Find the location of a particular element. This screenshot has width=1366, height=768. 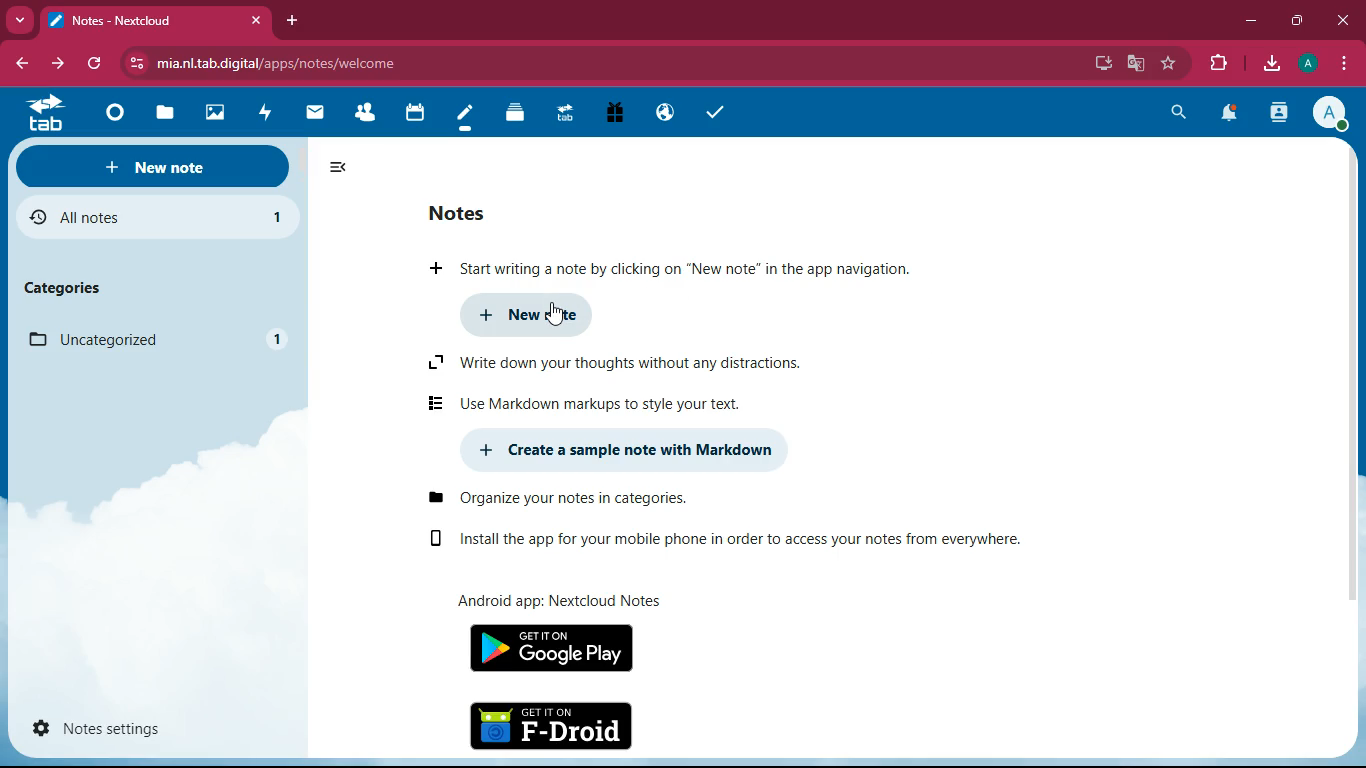

minimize is located at coordinates (1249, 20).